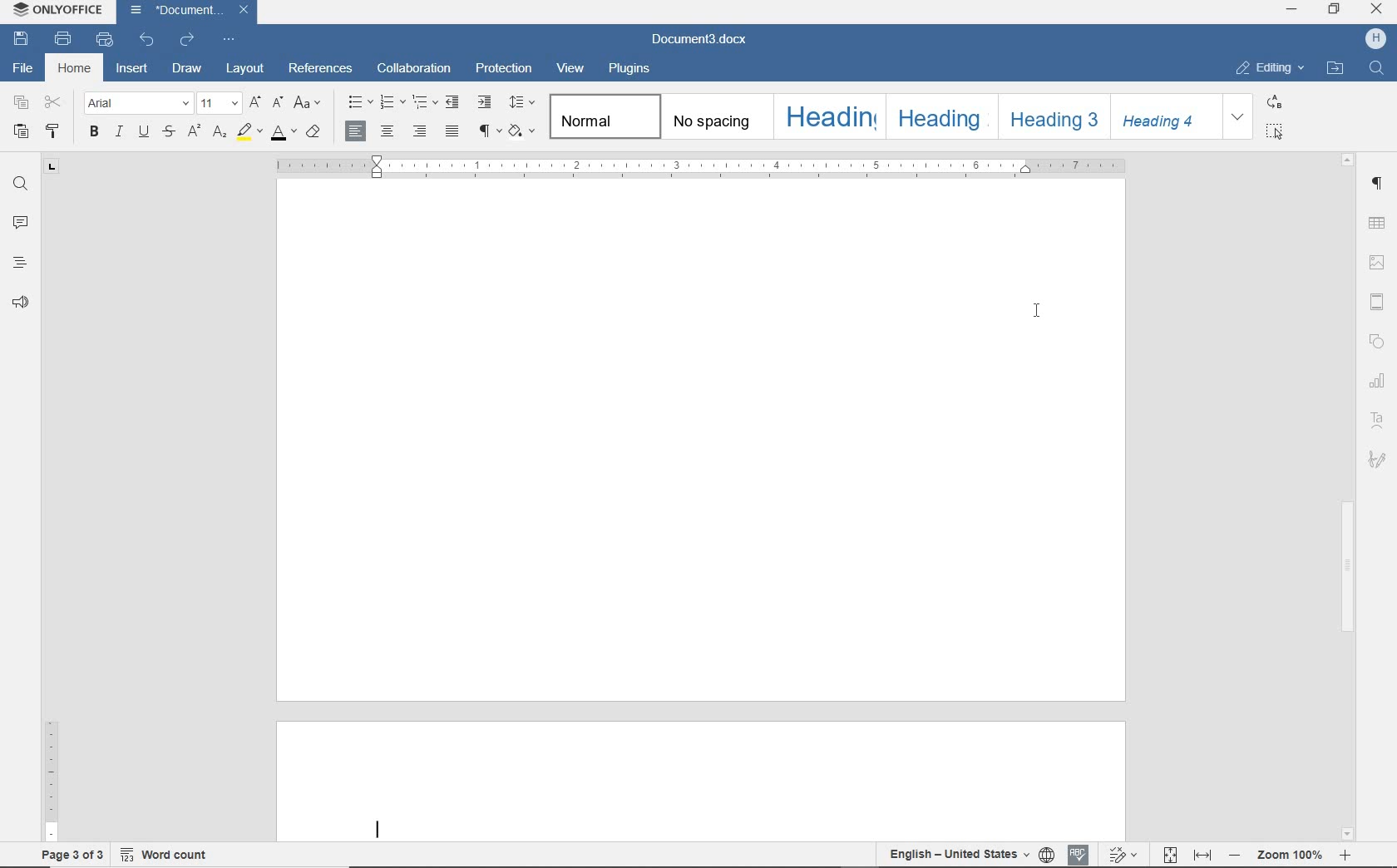 The width and height of the screenshot is (1397, 868). What do you see at coordinates (1239, 116) in the screenshot?
I see `EXPAND` at bounding box center [1239, 116].